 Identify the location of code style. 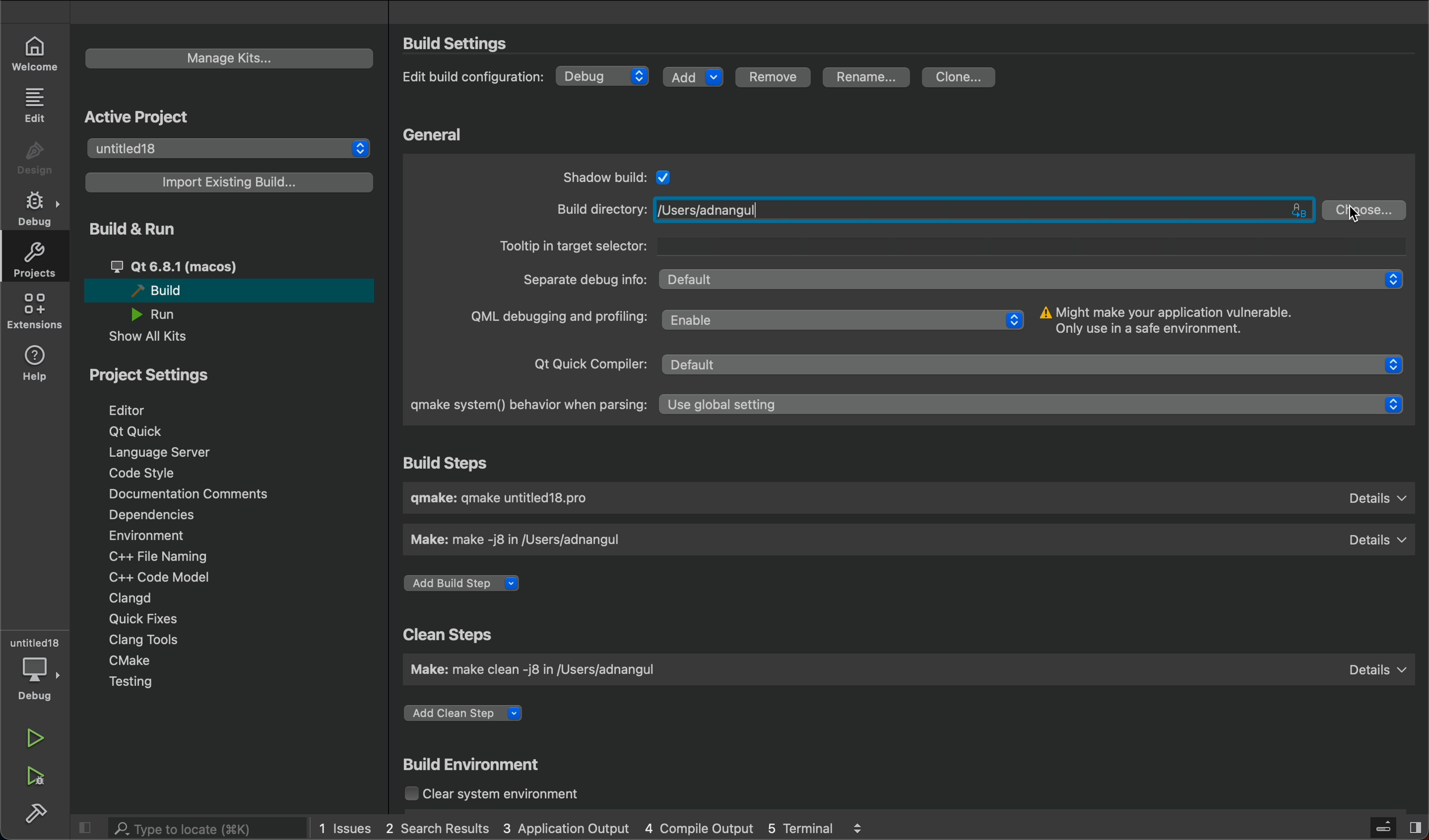
(142, 474).